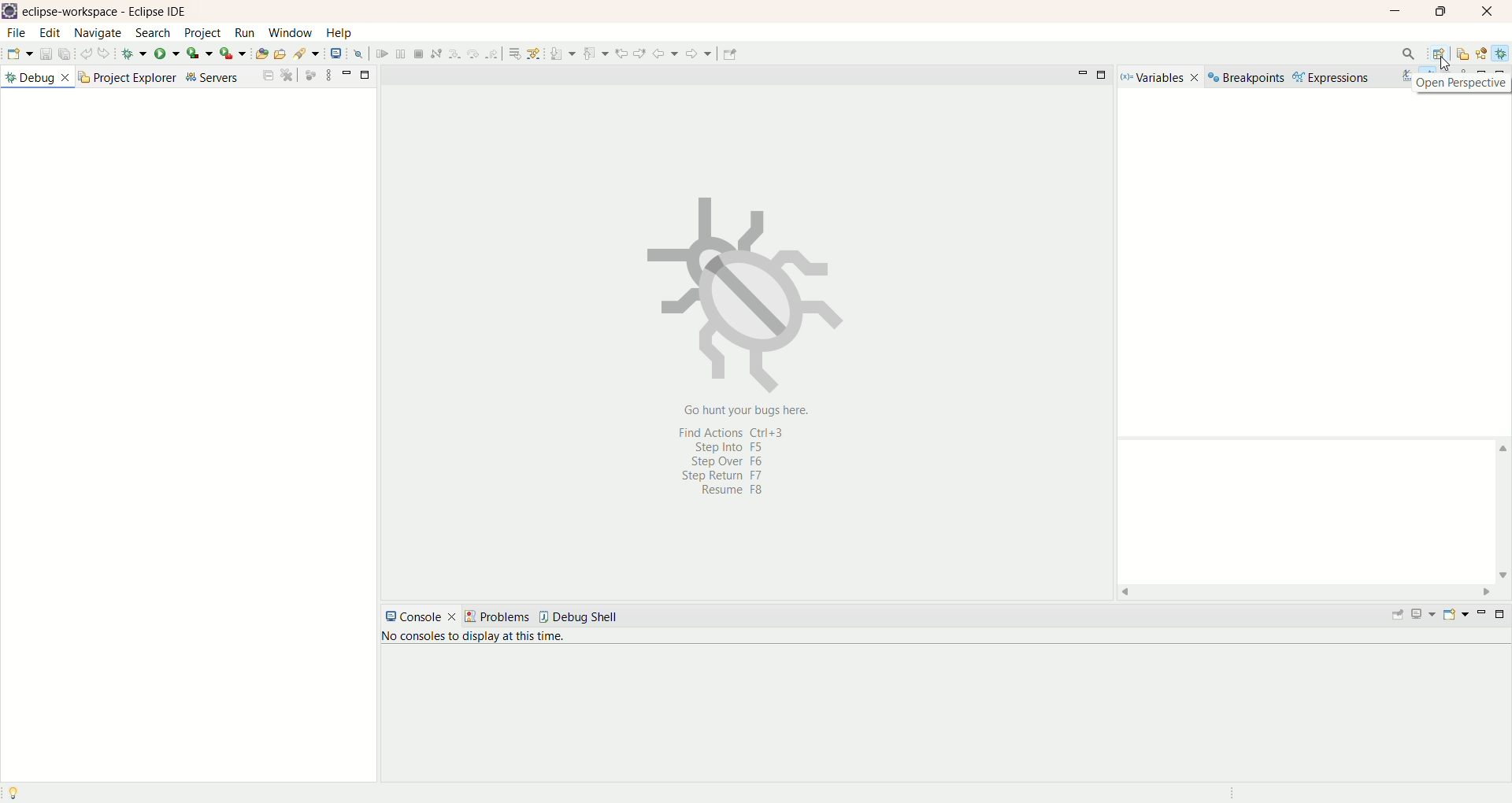  What do you see at coordinates (17, 54) in the screenshot?
I see `new` at bounding box center [17, 54].